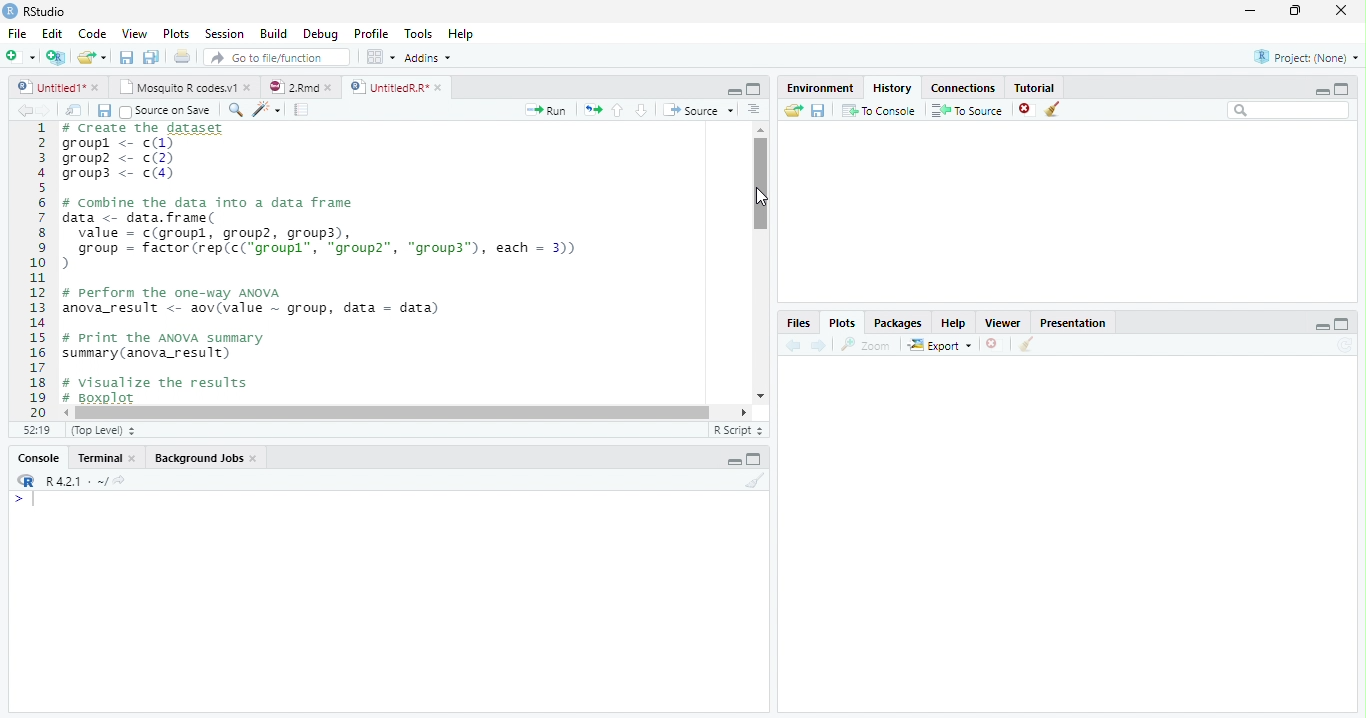  I want to click on Presentation, so click(1081, 321).